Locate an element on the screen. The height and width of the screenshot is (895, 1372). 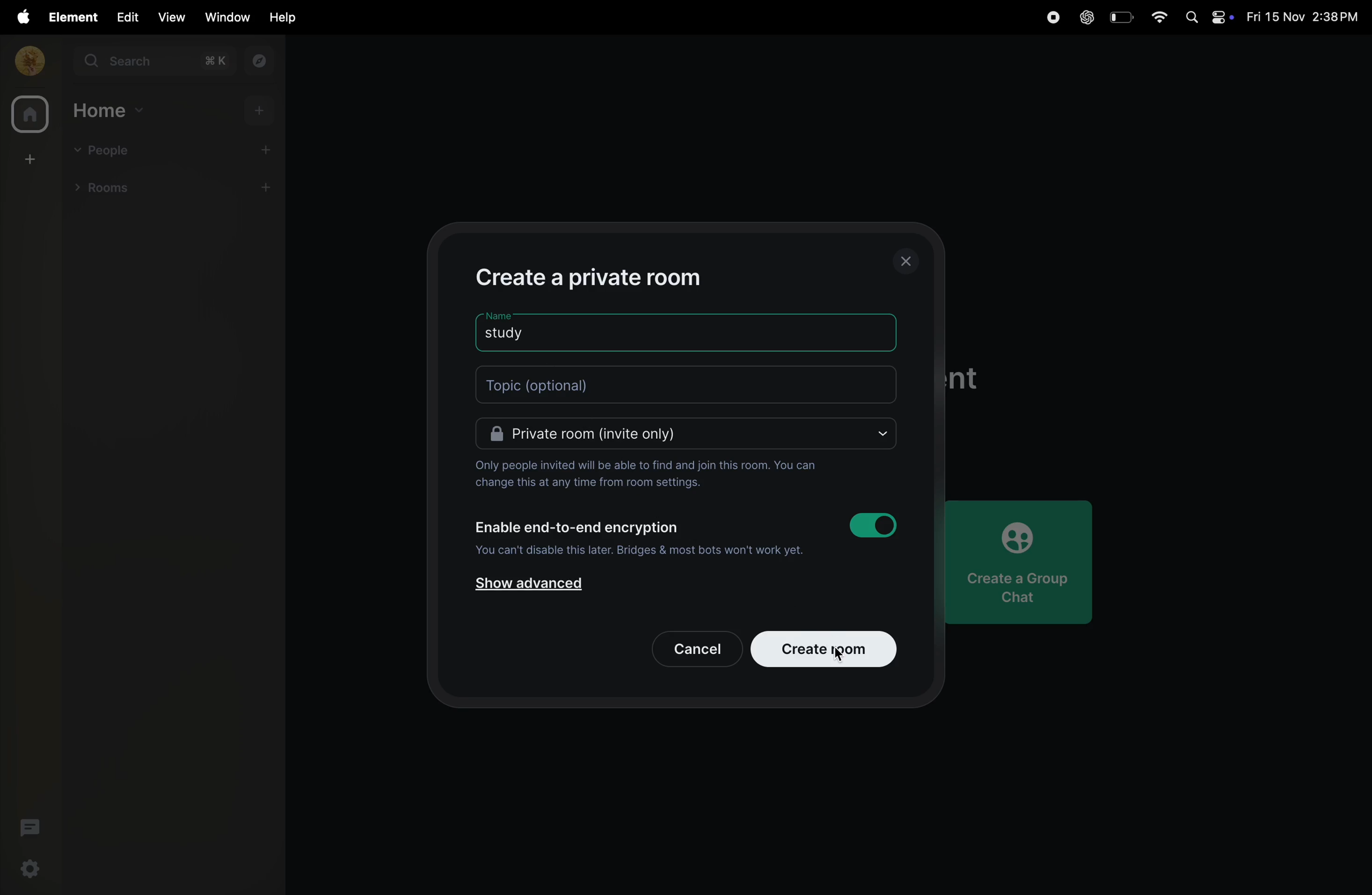
people is located at coordinates (107, 152).